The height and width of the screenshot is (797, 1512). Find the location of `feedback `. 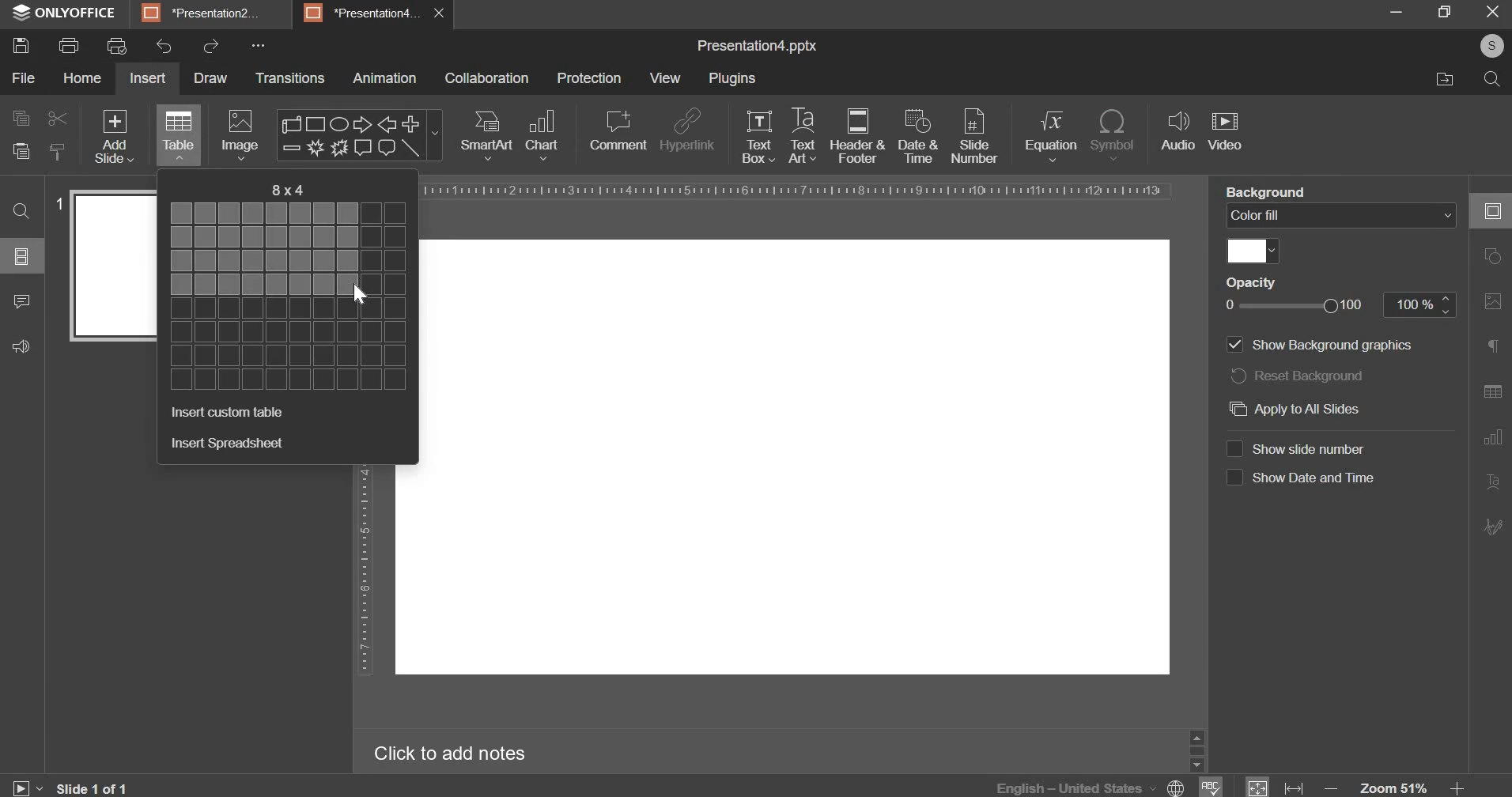

feedback  is located at coordinates (23, 346).